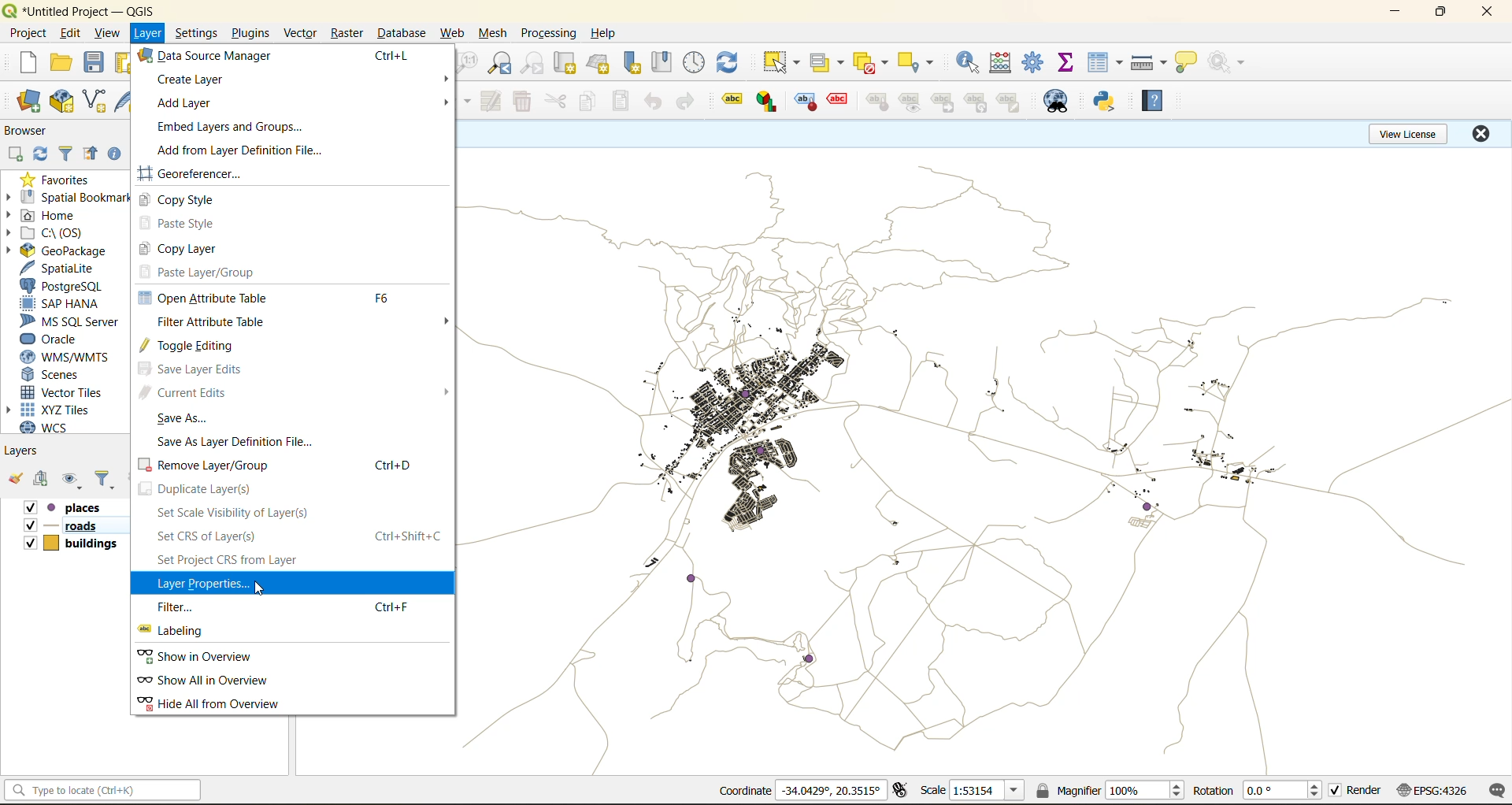  I want to click on new 3d map, so click(600, 63).